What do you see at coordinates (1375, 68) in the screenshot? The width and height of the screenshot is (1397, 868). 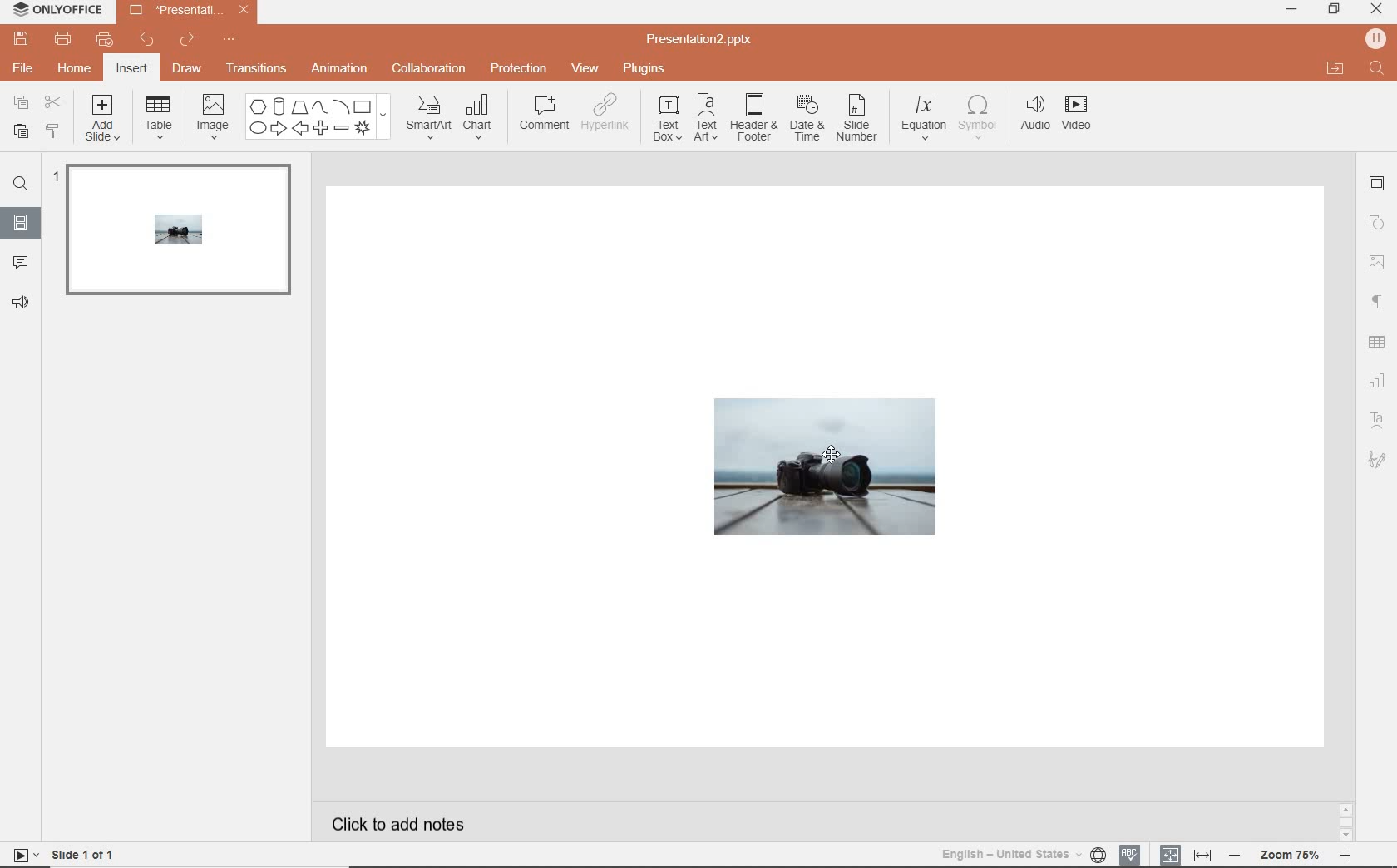 I see `Find` at bounding box center [1375, 68].